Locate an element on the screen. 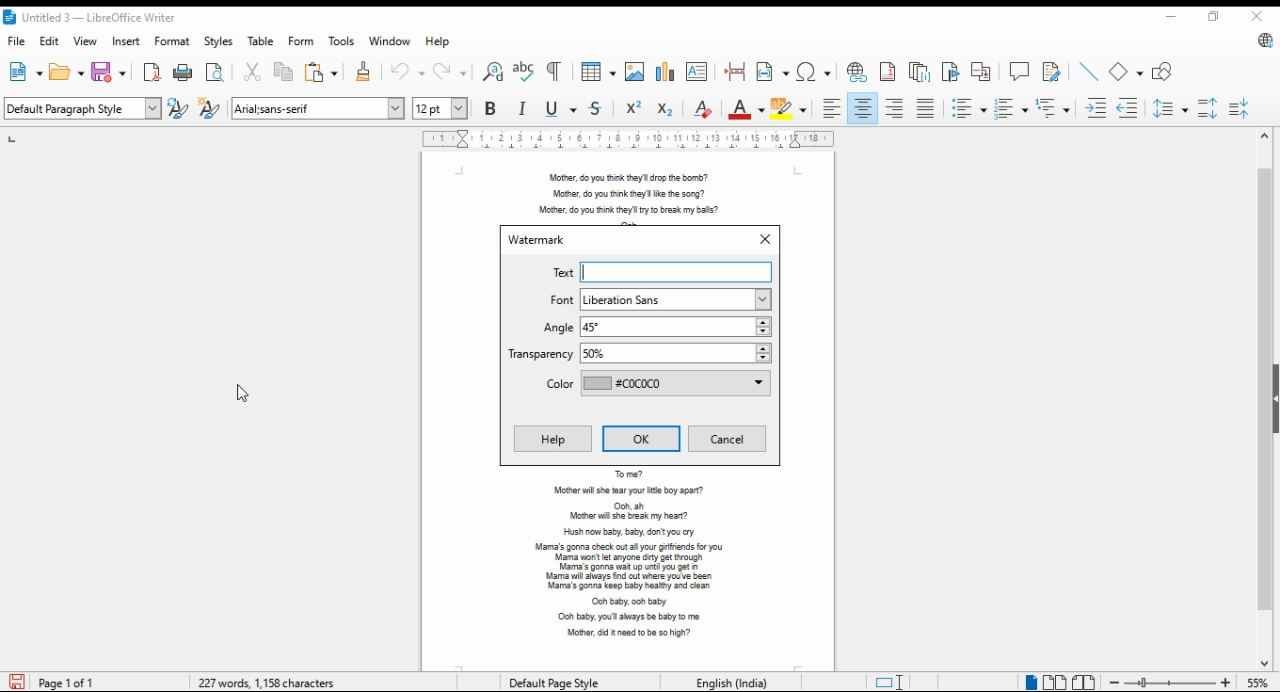  select outline format is located at coordinates (1052, 107).